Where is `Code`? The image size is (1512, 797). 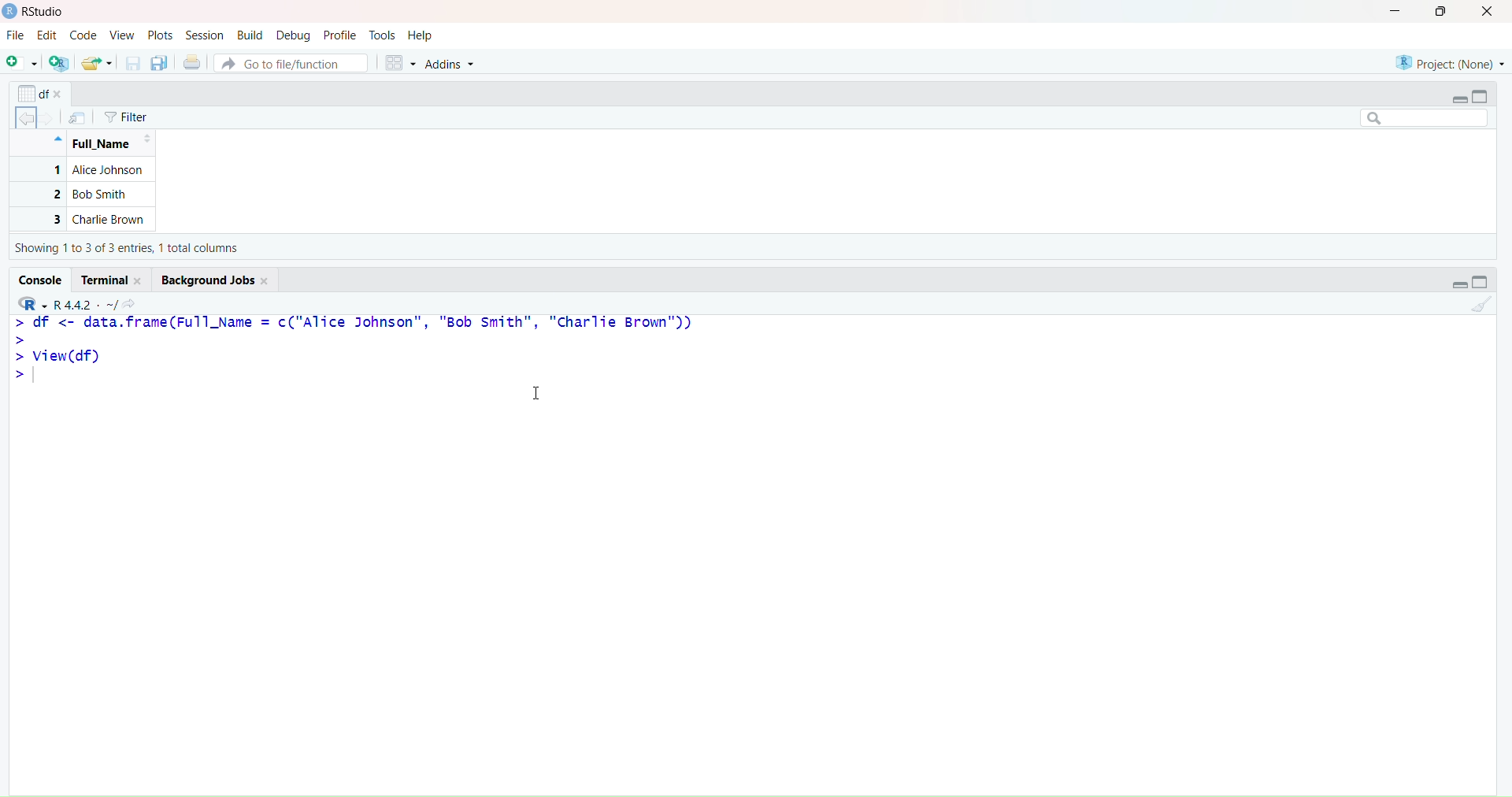
Code is located at coordinates (83, 36).